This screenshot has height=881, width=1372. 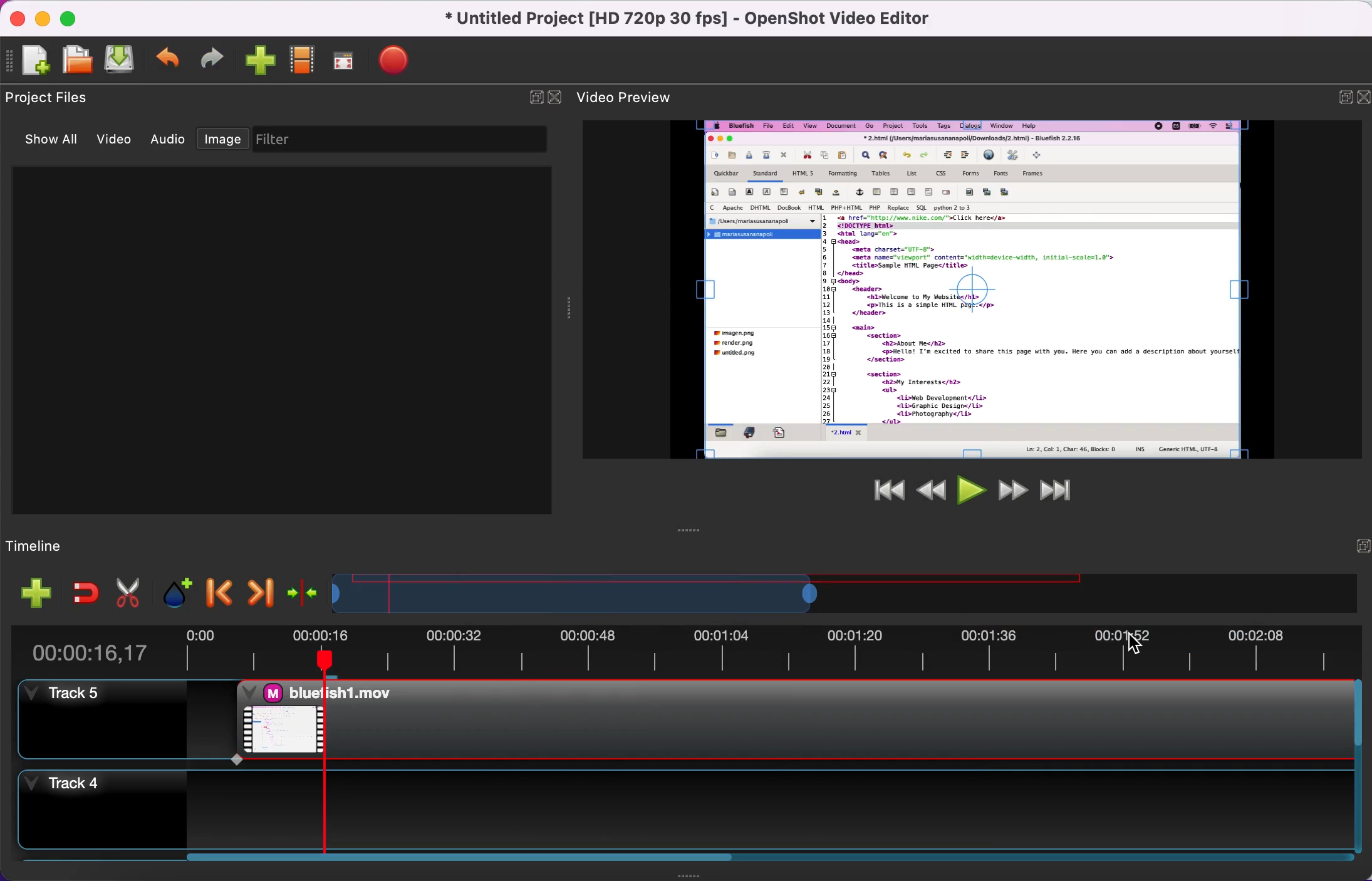 What do you see at coordinates (53, 142) in the screenshot?
I see `show all` at bounding box center [53, 142].